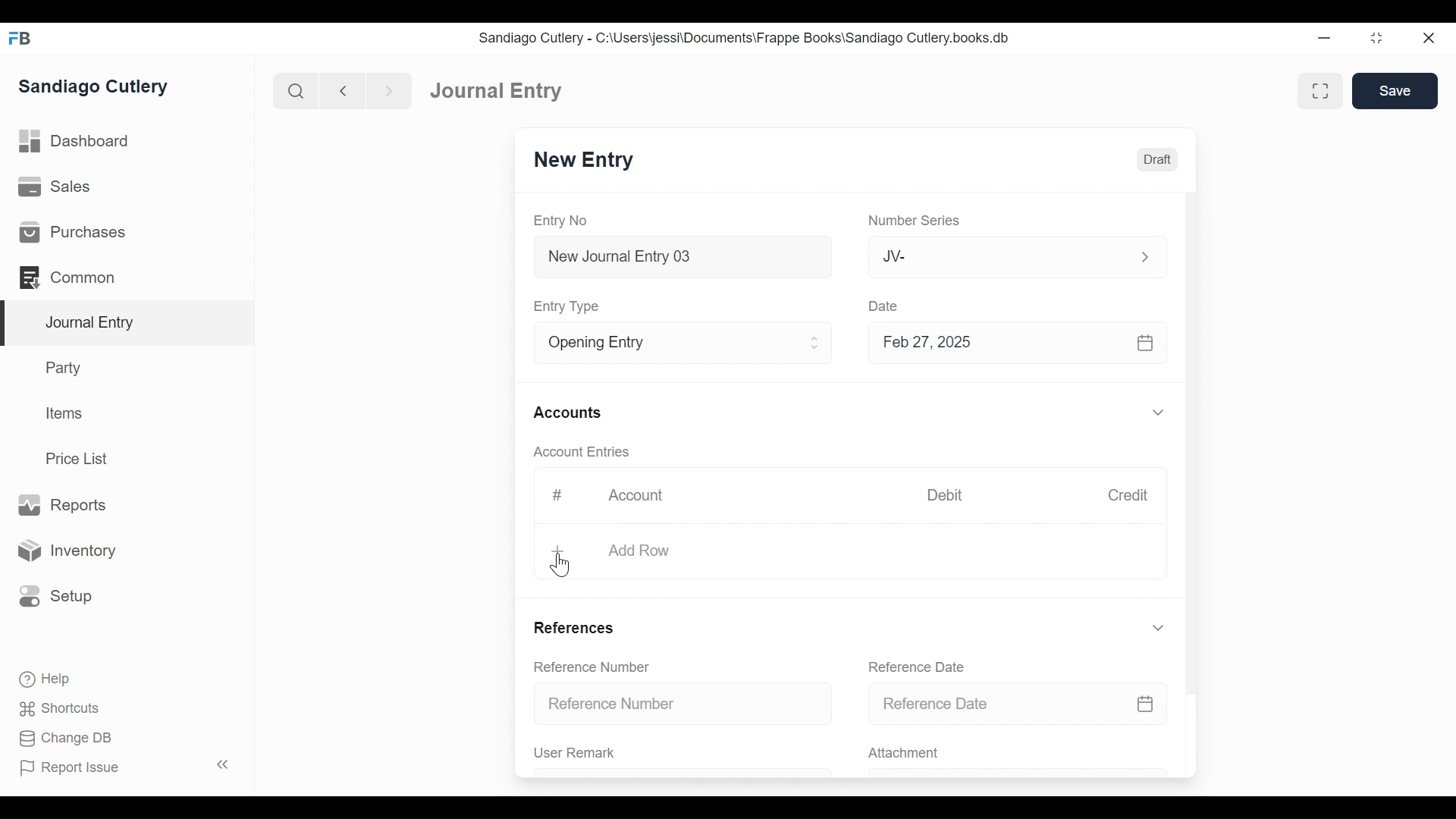  I want to click on Setup, so click(56, 597).